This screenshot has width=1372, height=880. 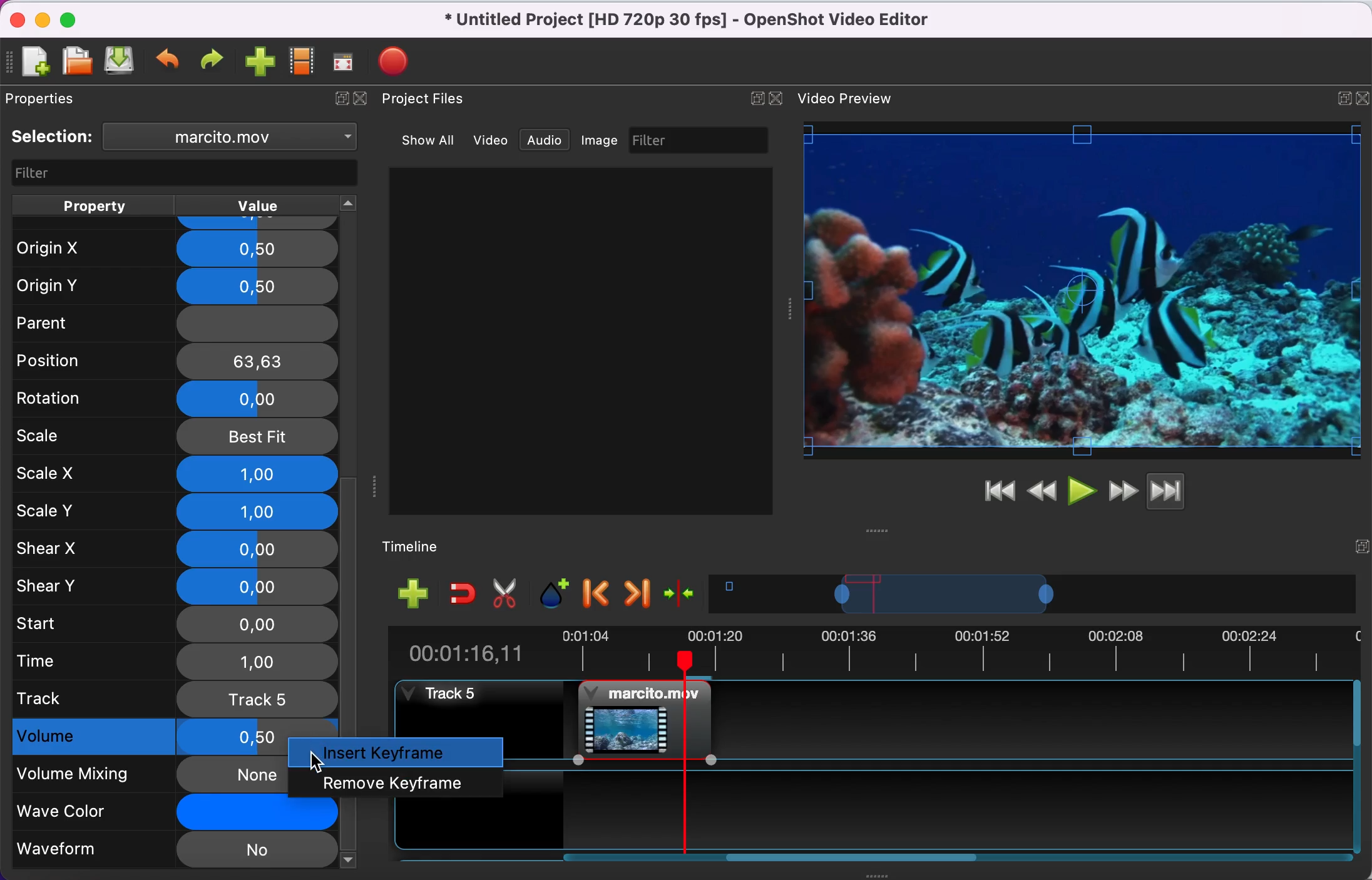 I want to click on wave color, so click(x=153, y=812).